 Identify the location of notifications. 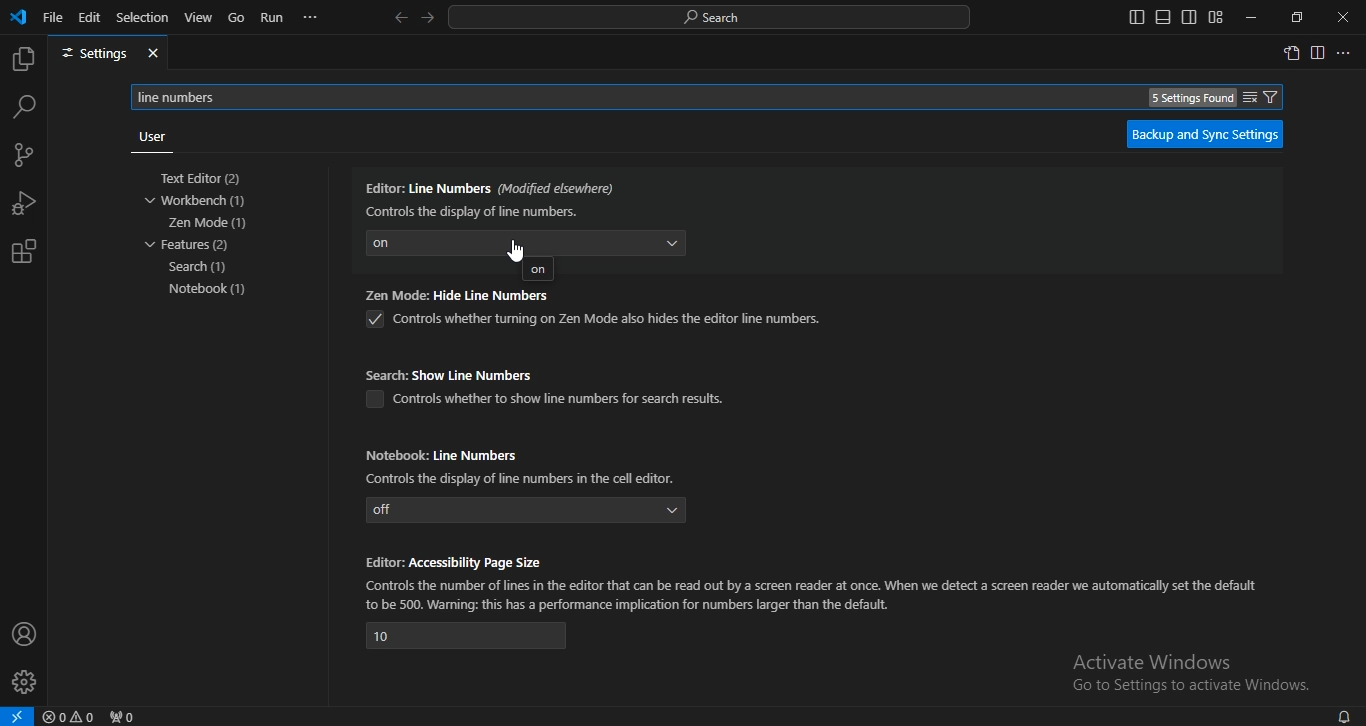
(1343, 715).